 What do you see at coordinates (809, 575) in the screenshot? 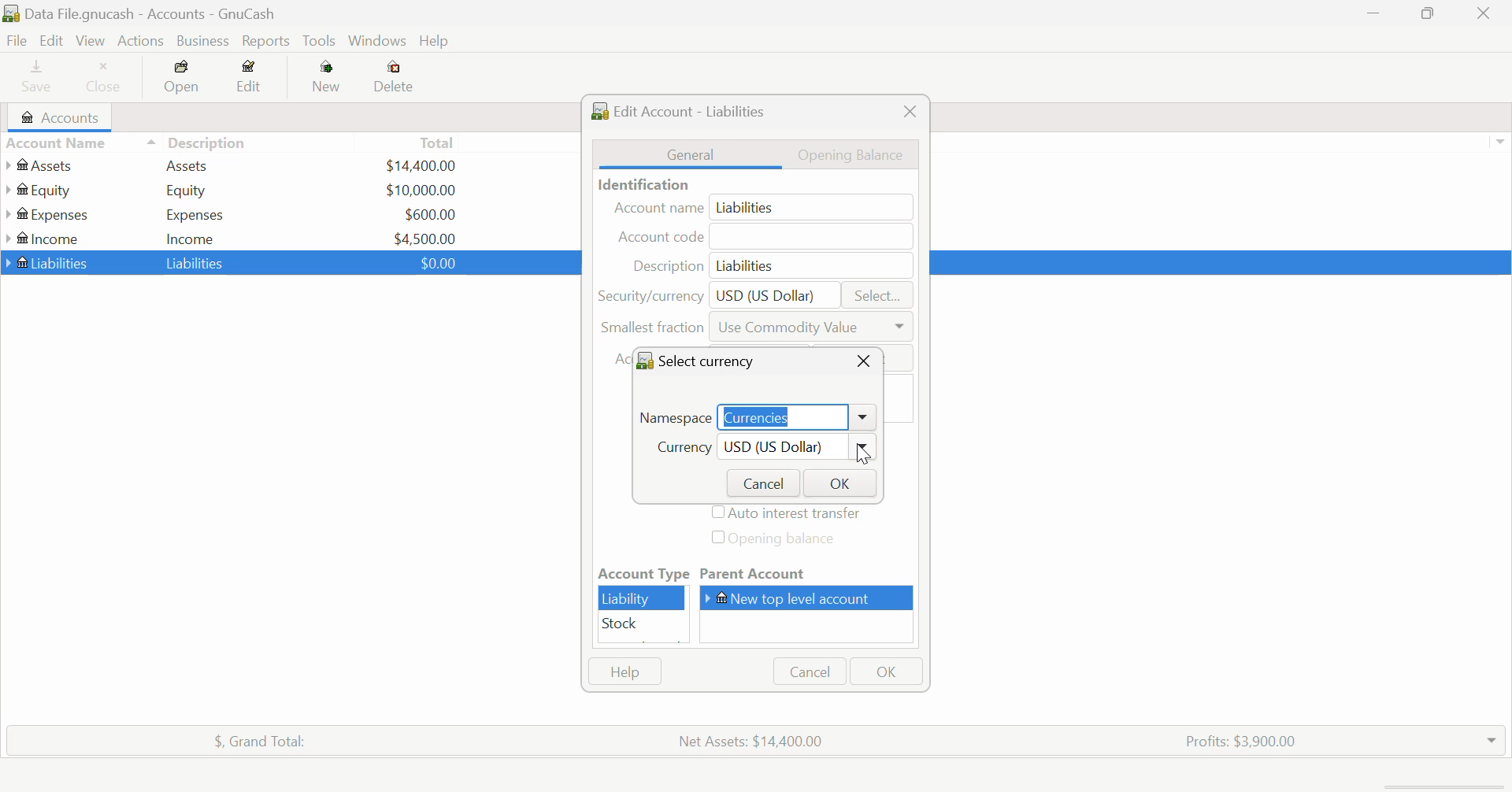
I see `Parent Account` at bounding box center [809, 575].